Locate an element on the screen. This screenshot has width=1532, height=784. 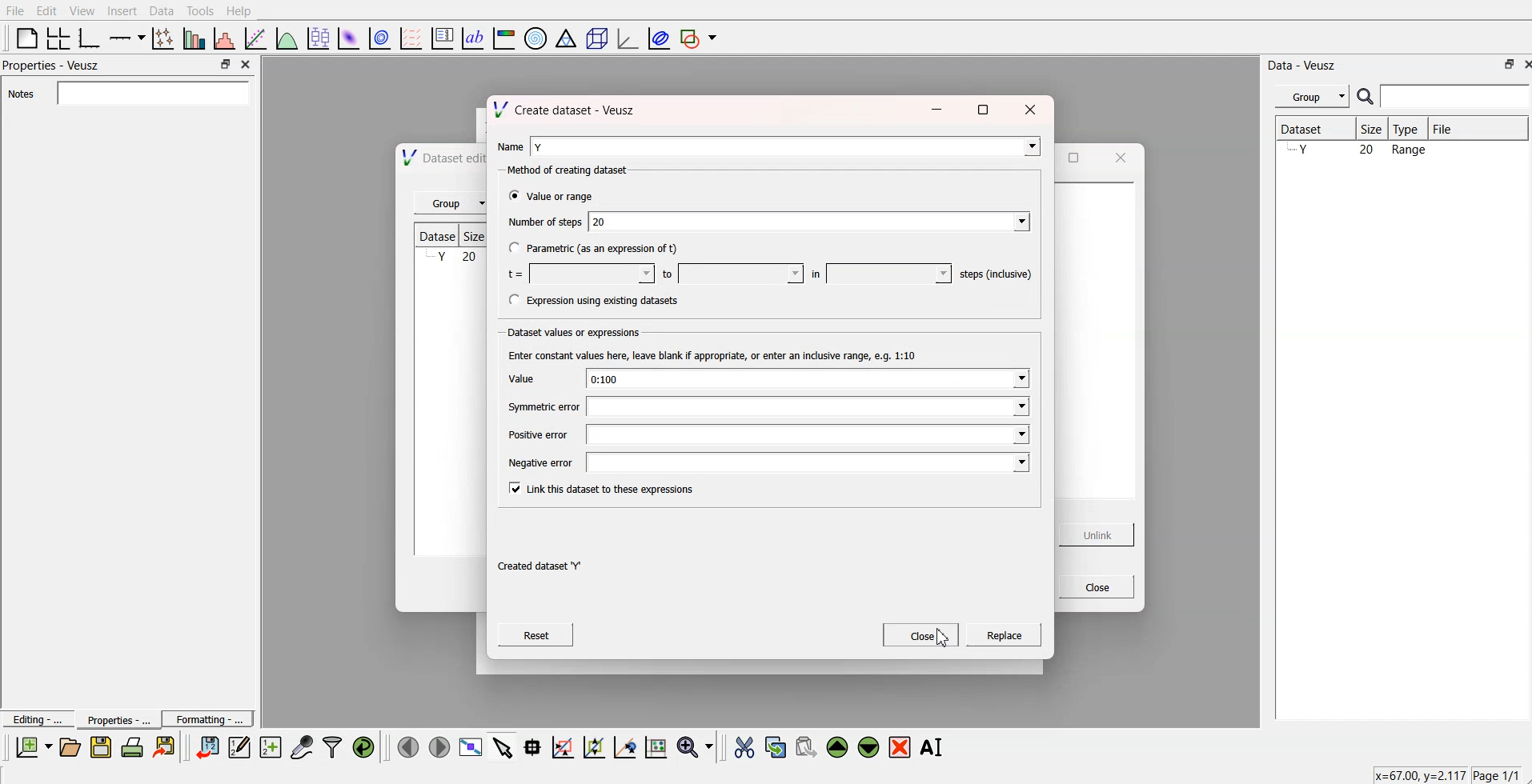
 is located at coordinates (1029, 107).